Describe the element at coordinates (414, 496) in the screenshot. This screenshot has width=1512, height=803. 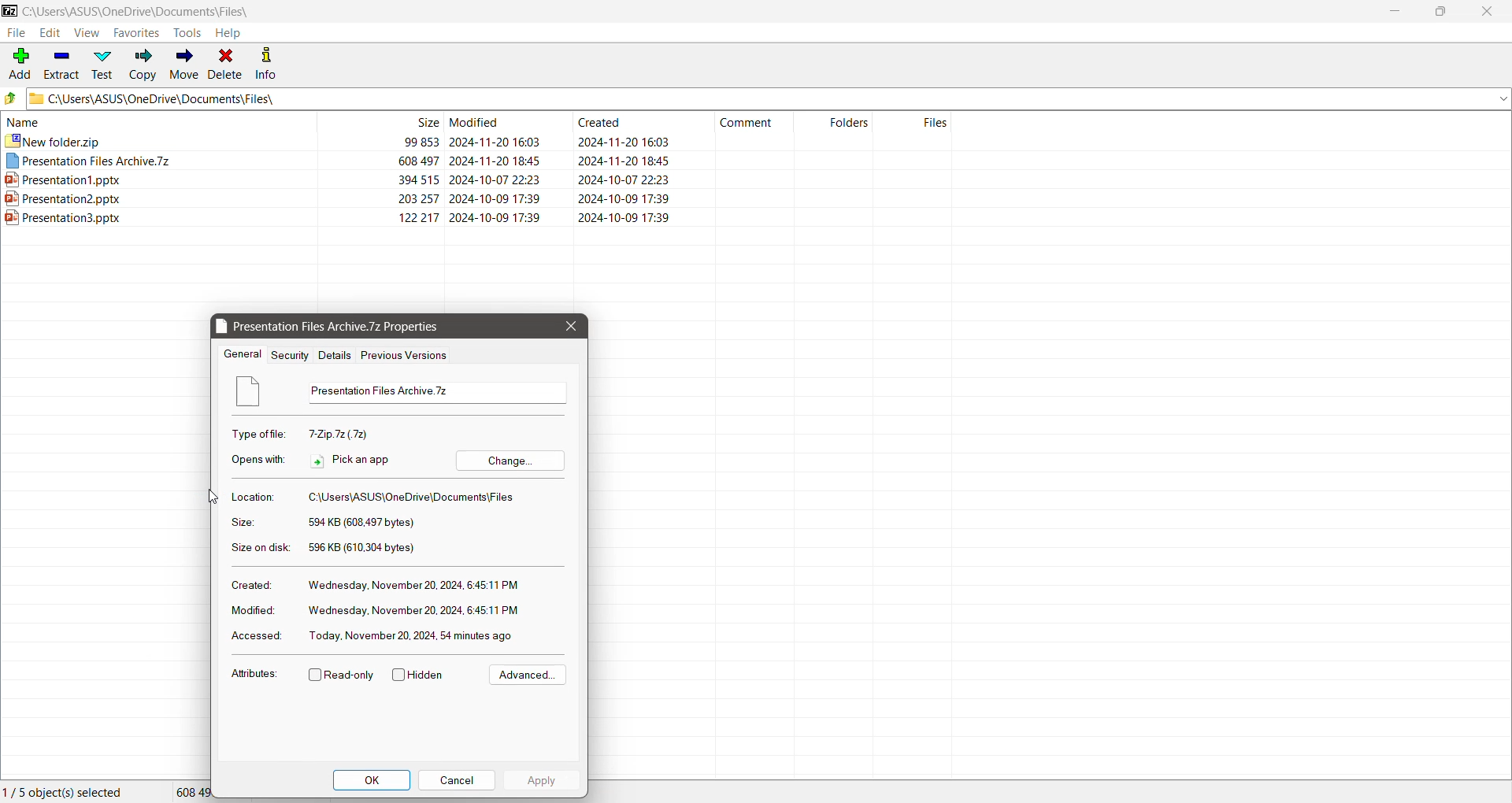
I see `File Location` at that location.